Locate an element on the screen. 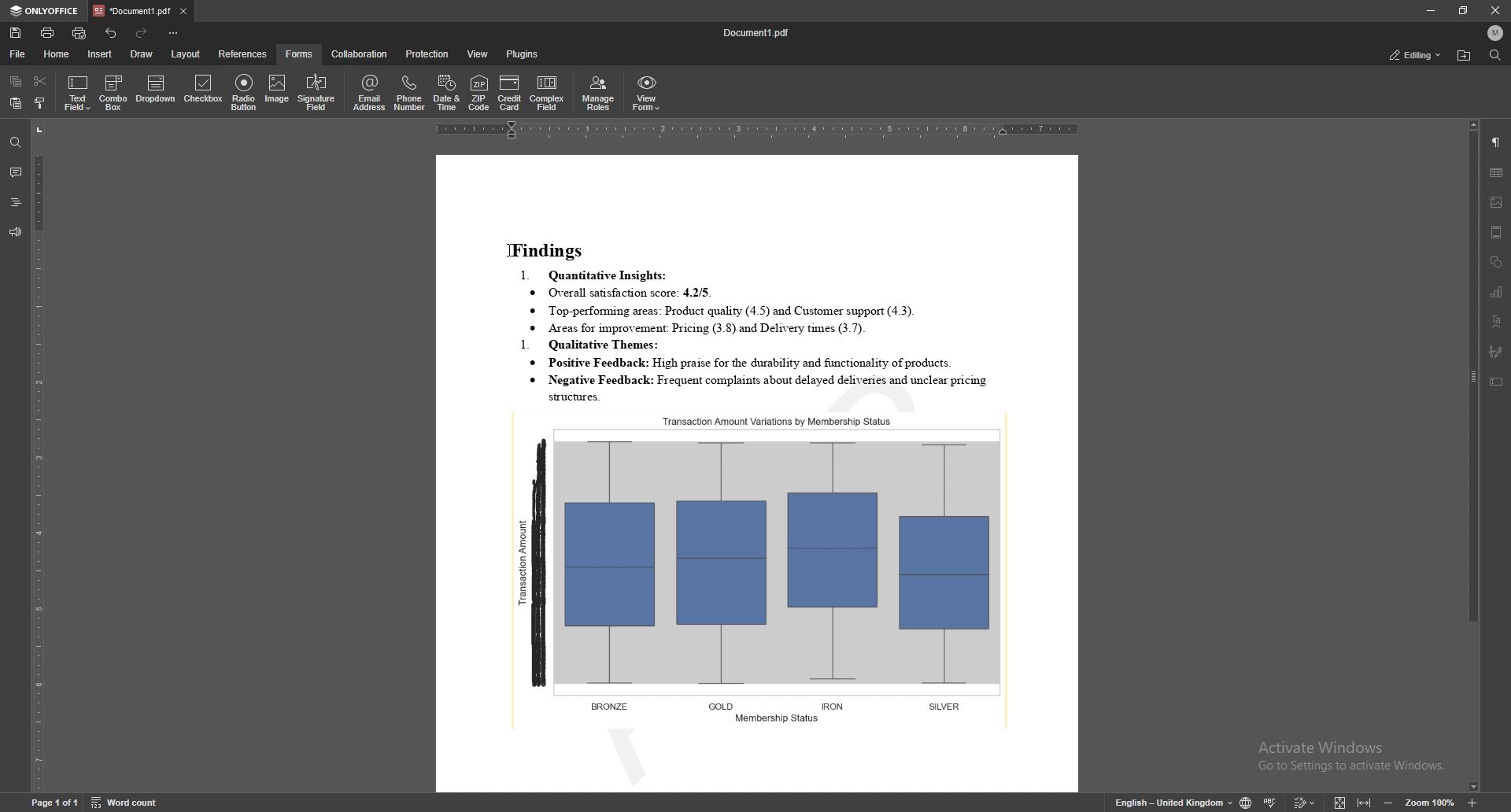 The image size is (1511, 812). image is located at coordinates (1496, 202).